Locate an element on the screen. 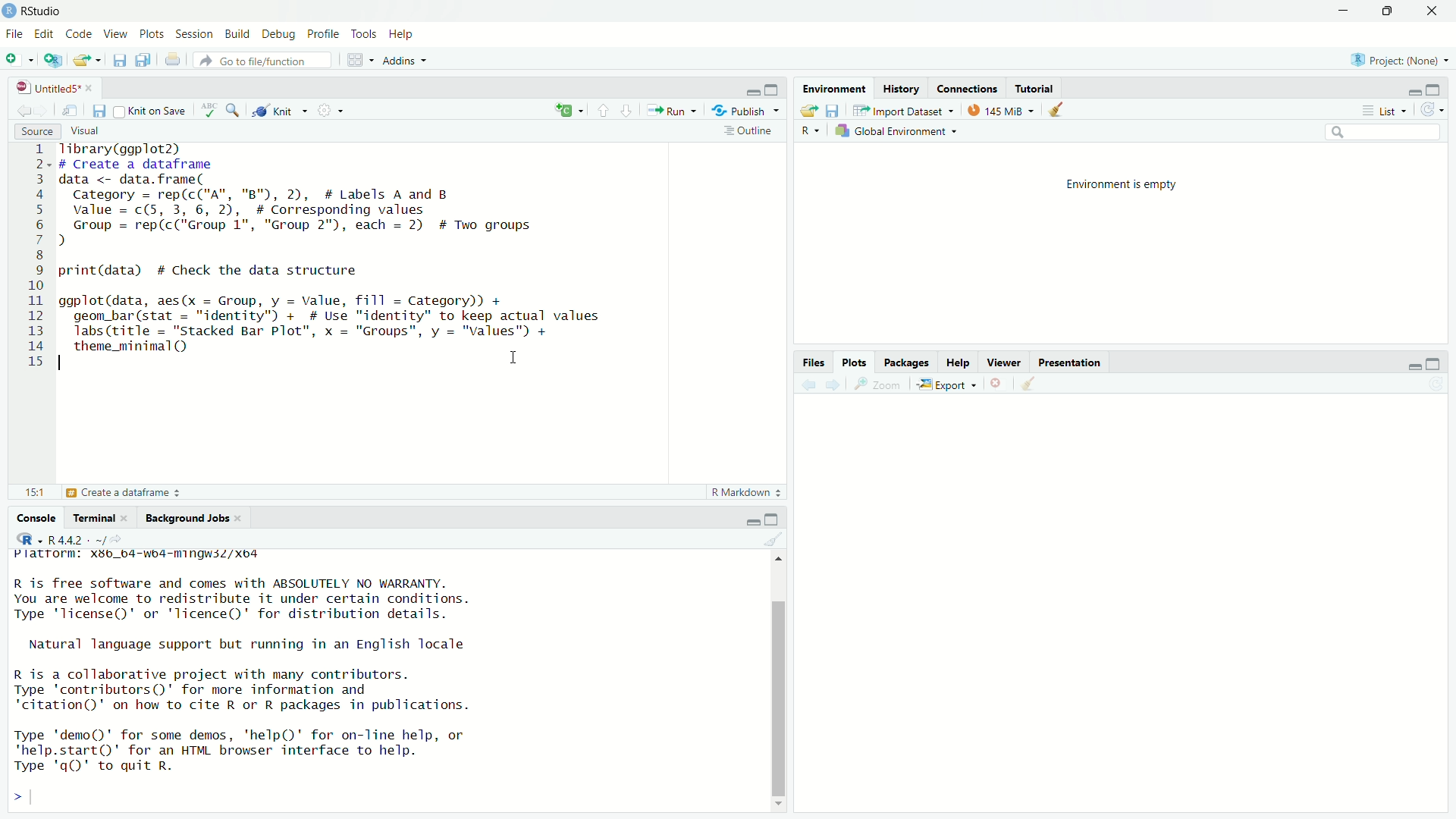 The height and width of the screenshot is (819, 1456). Terminal is located at coordinates (101, 516).